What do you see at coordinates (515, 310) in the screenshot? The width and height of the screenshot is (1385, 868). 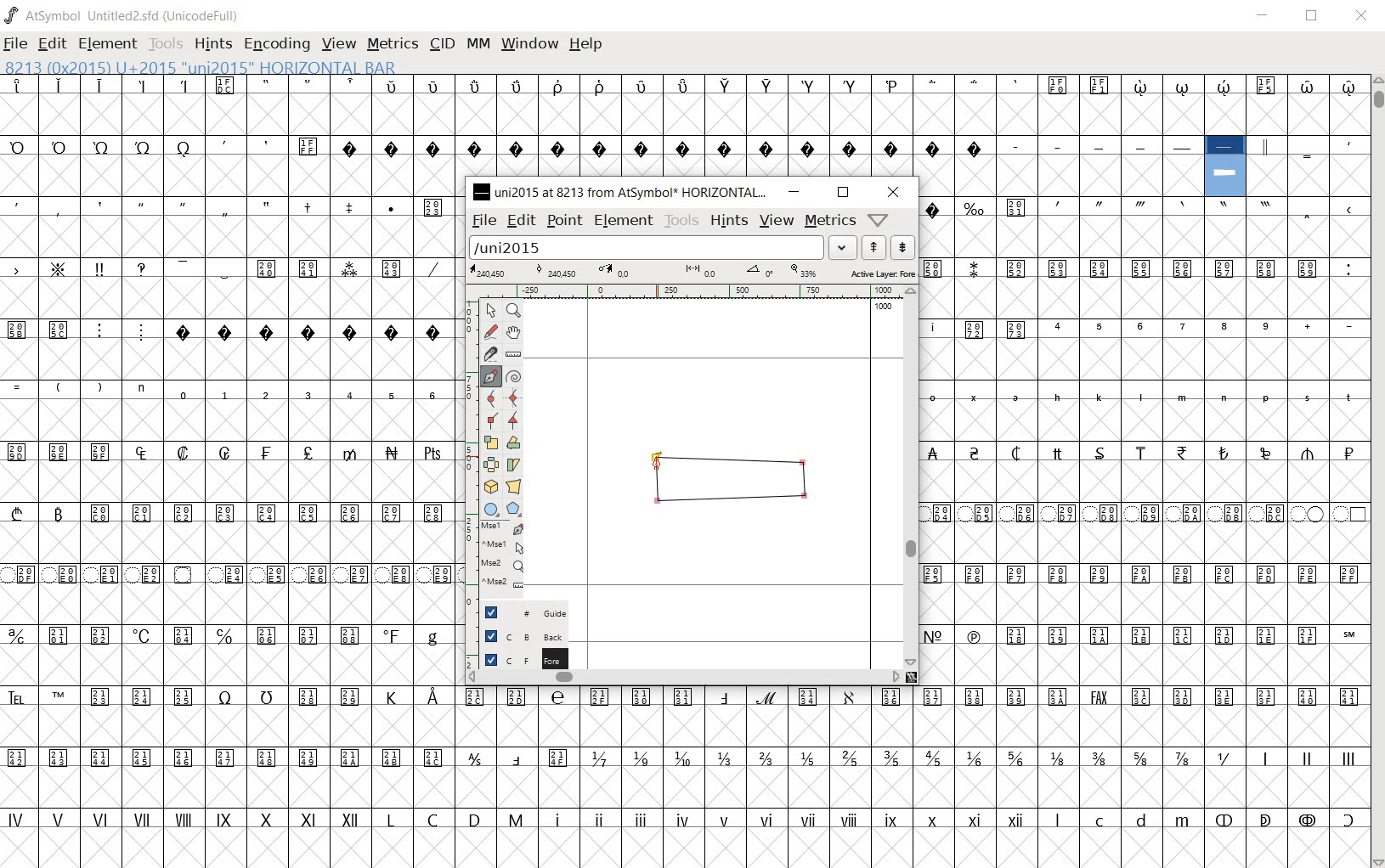 I see `MAGNIFY` at bounding box center [515, 310].